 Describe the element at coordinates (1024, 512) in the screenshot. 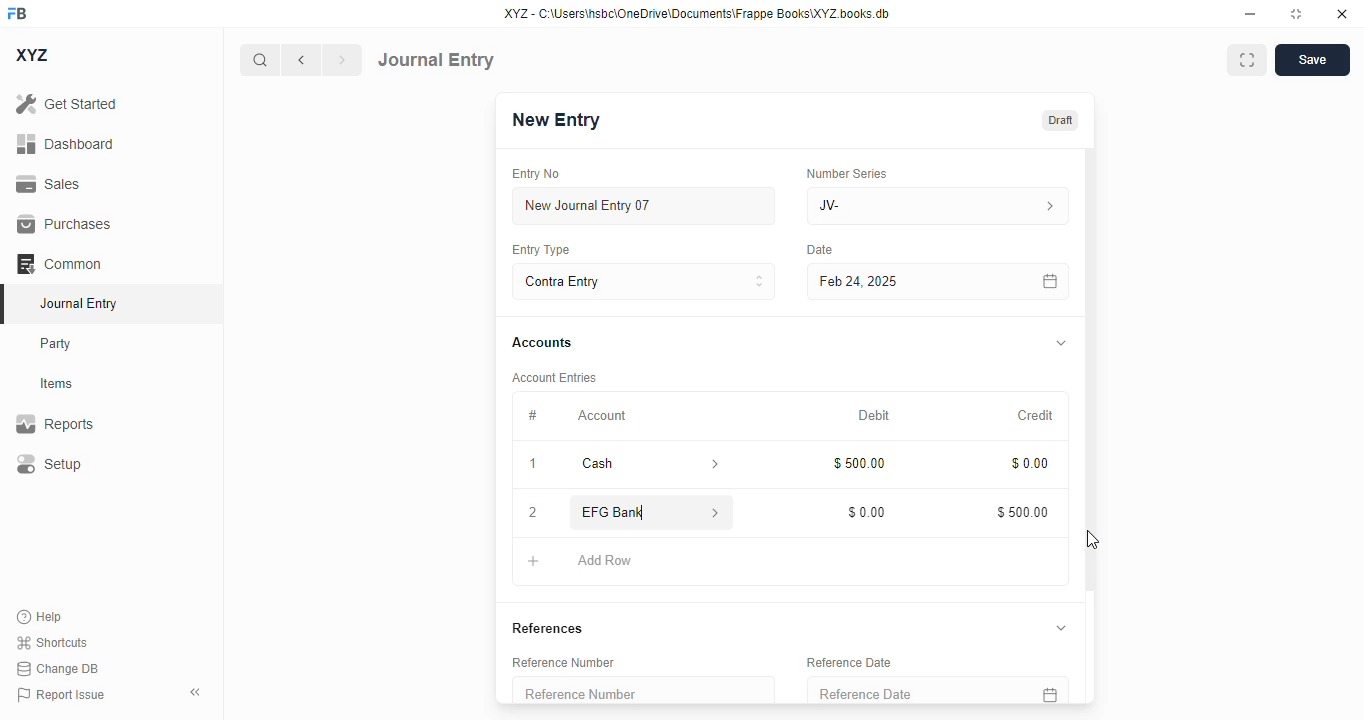

I see `$500.00` at that location.